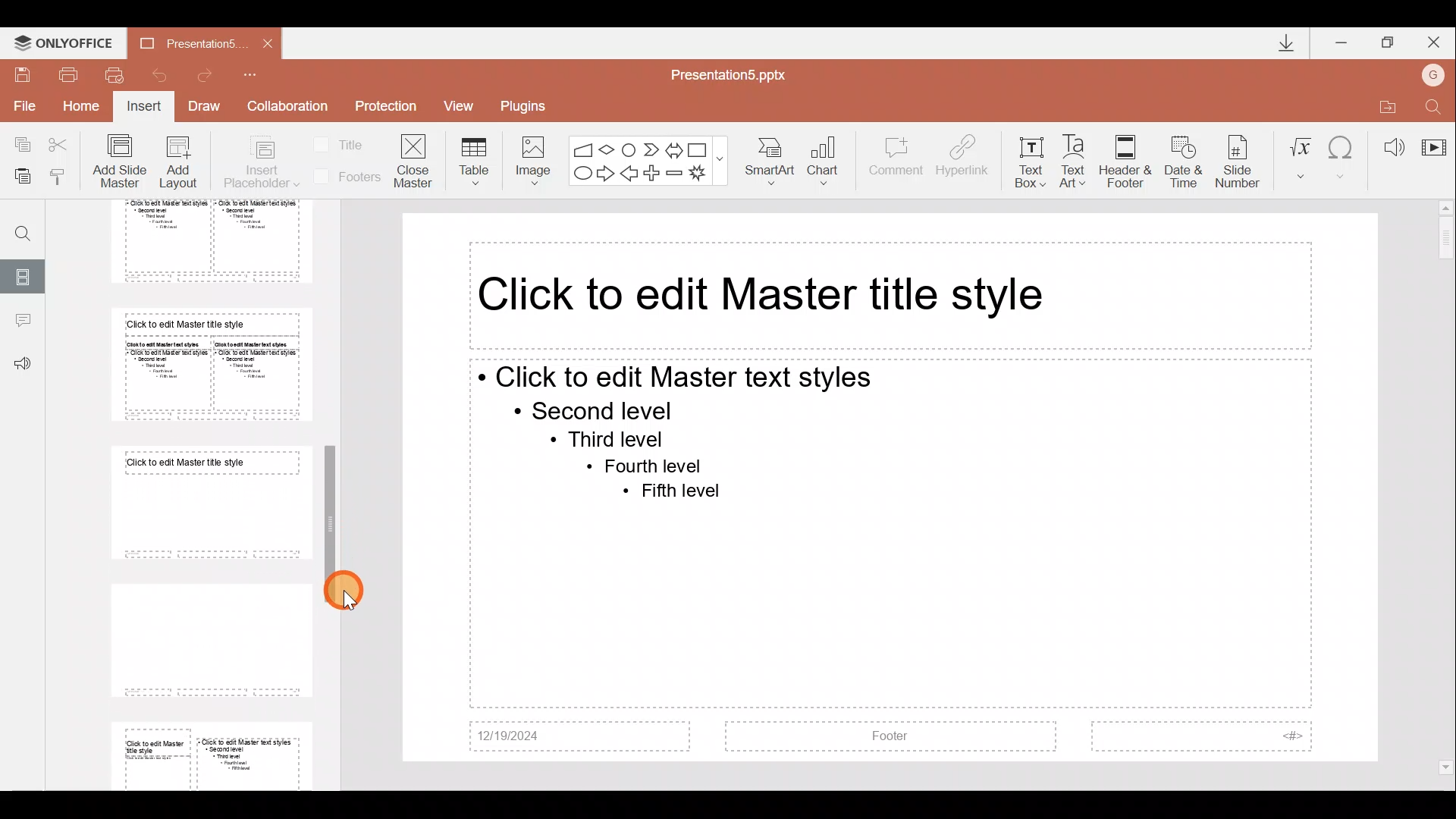 The width and height of the screenshot is (1456, 819). Describe the element at coordinates (63, 39) in the screenshot. I see `ONLYOFFICE` at that location.